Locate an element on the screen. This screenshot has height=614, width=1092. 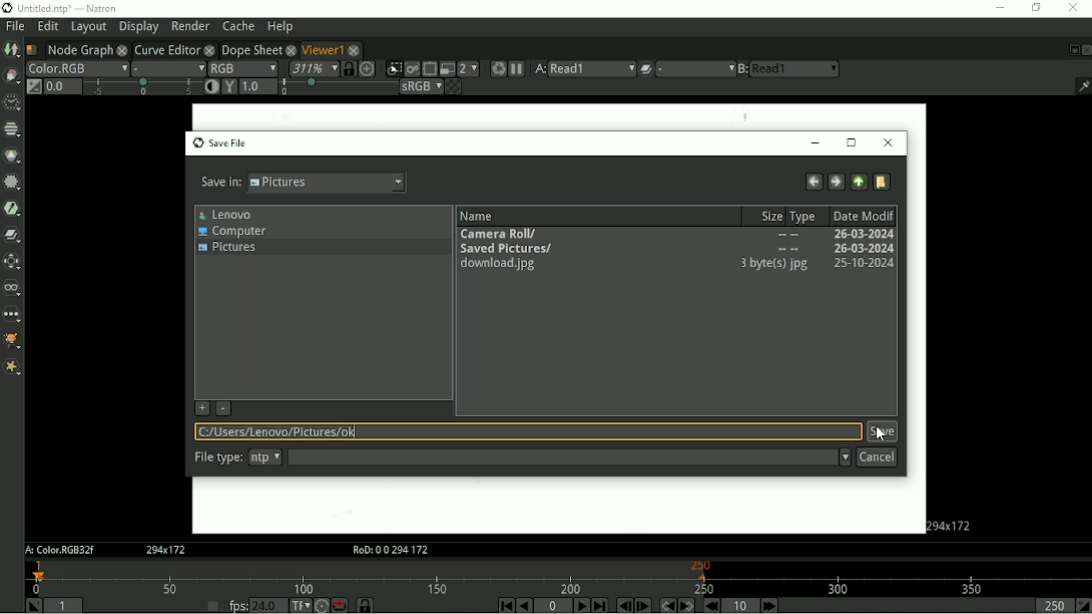
Lenovo is located at coordinates (225, 215).